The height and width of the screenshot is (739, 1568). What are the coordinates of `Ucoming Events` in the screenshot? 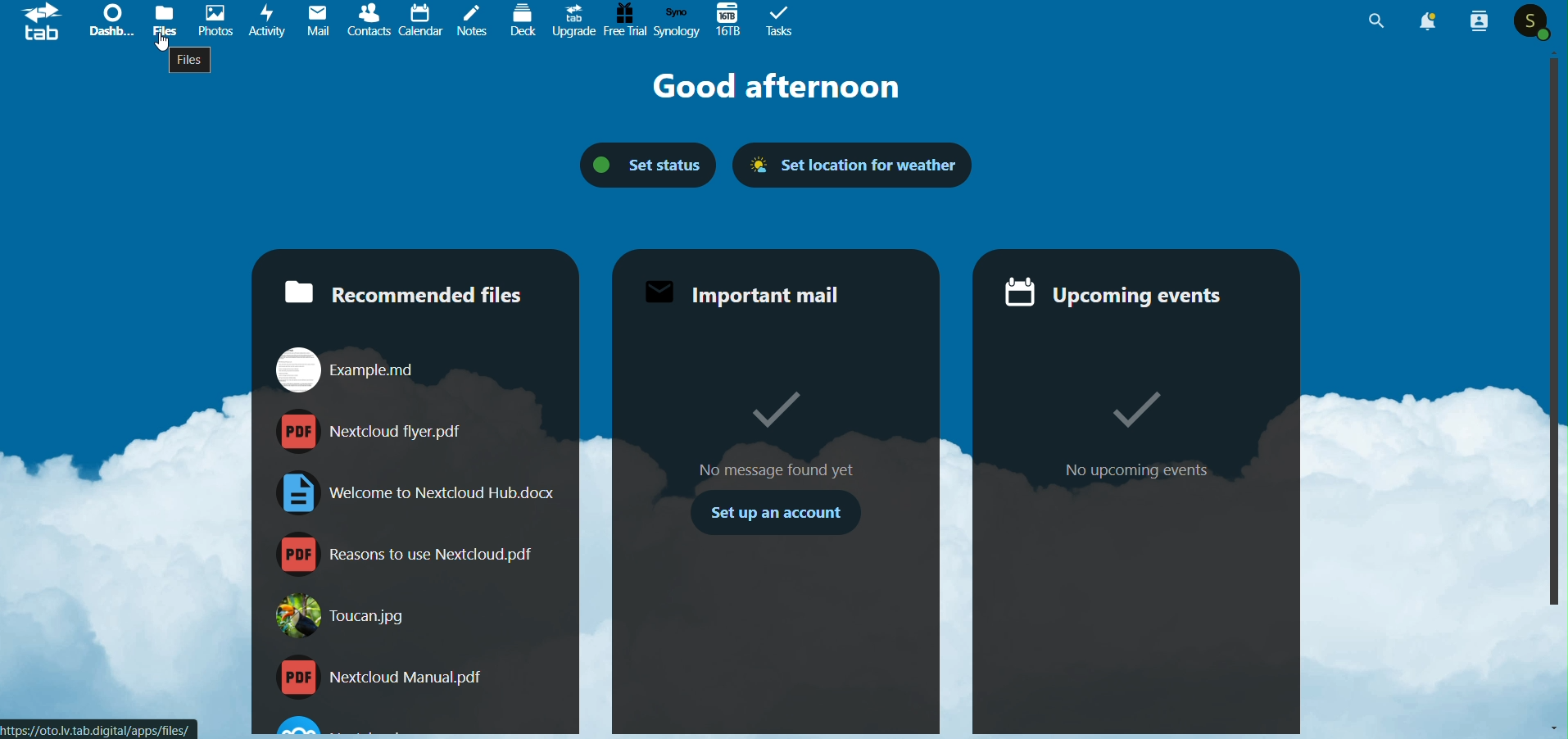 It's located at (1117, 292).